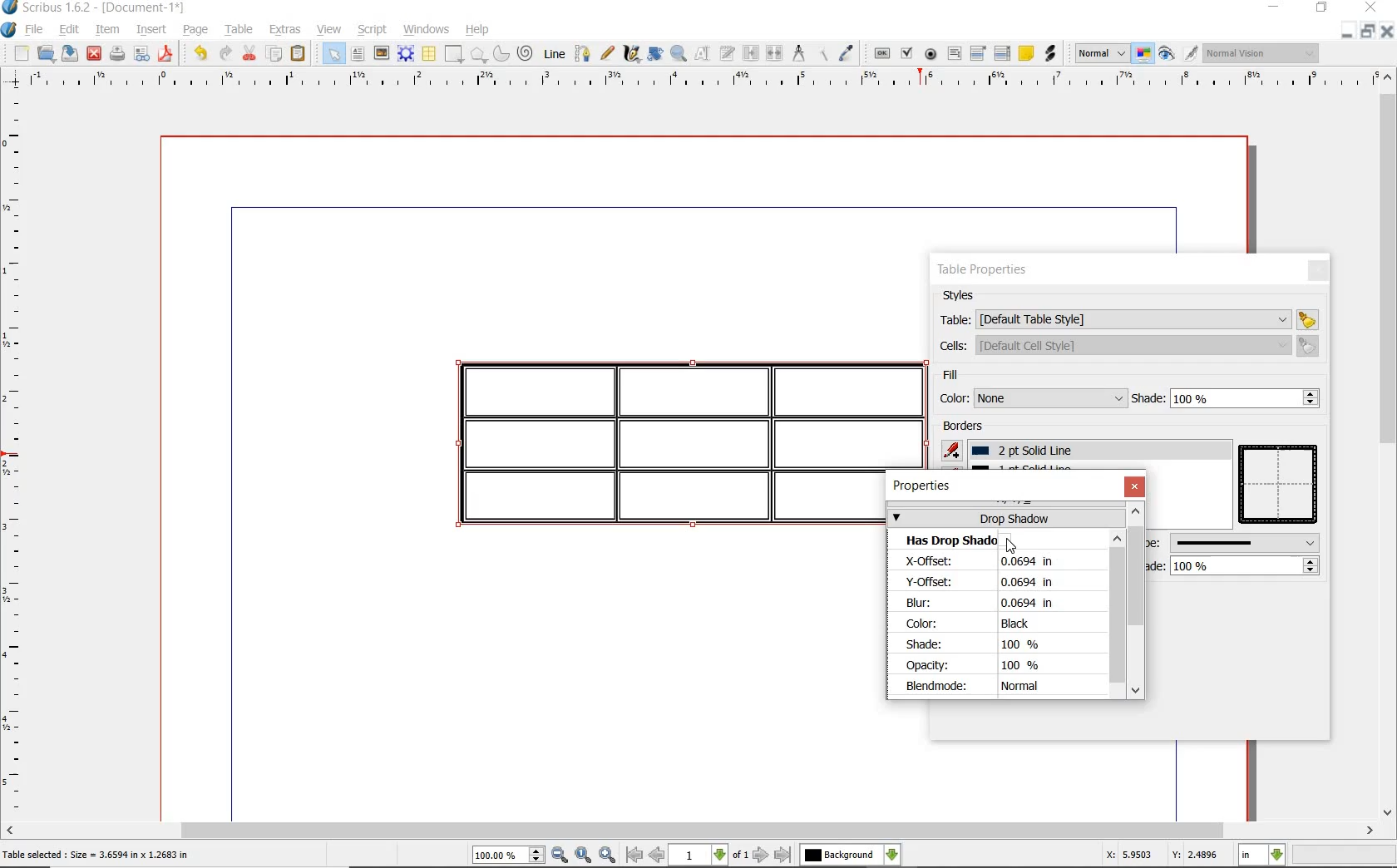  Describe the element at coordinates (608, 855) in the screenshot. I see `zoom in` at that location.